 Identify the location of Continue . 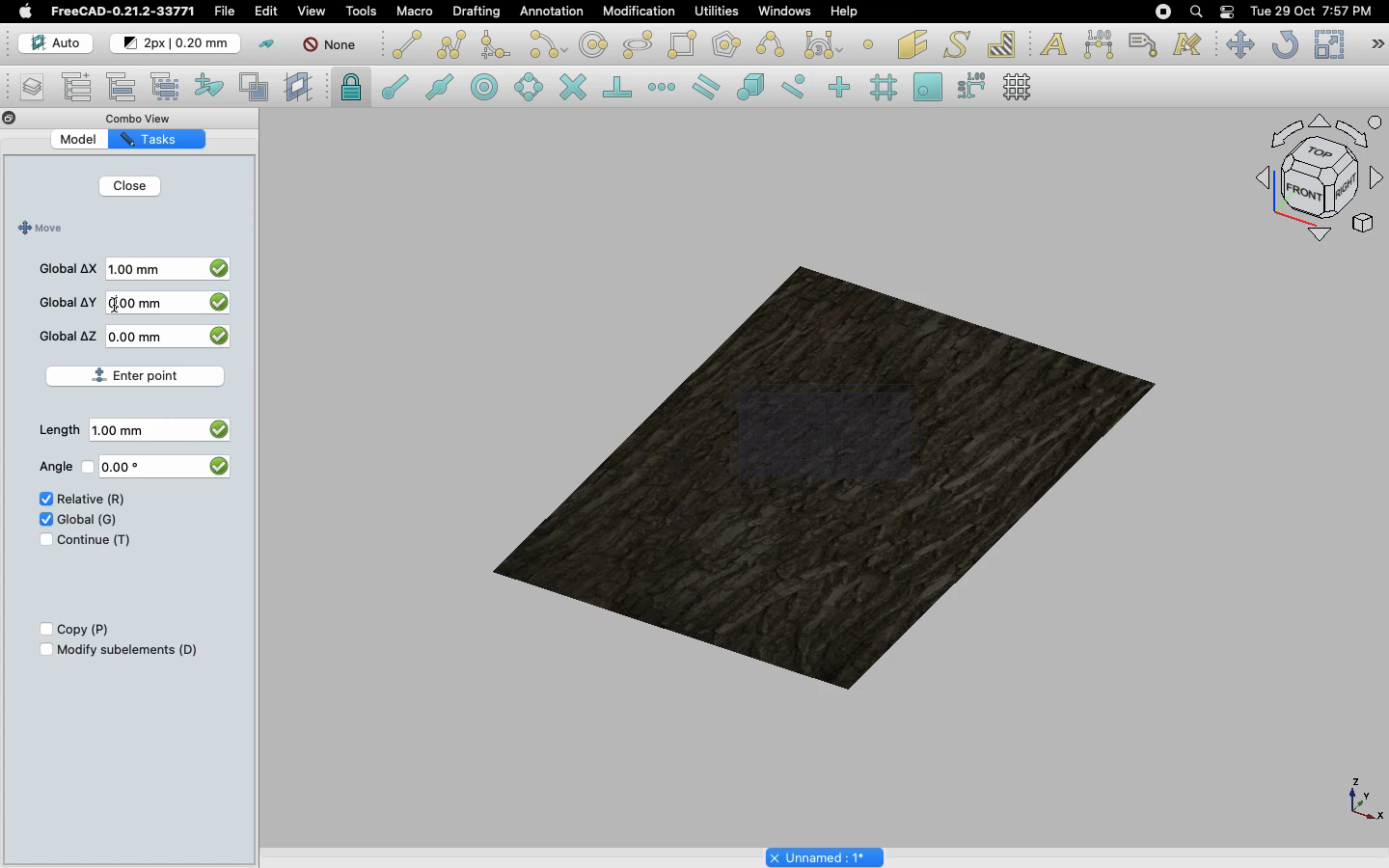
(95, 540).